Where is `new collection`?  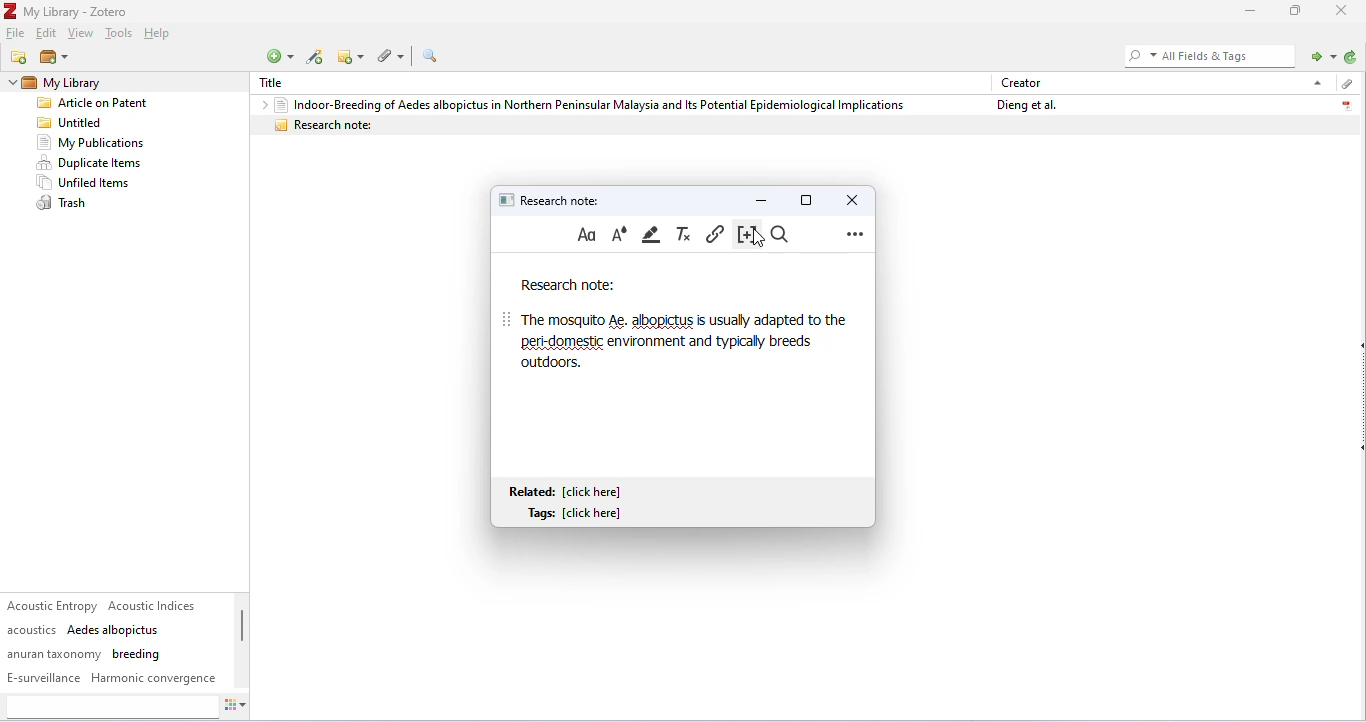
new collection is located at coordinates (20, 57).